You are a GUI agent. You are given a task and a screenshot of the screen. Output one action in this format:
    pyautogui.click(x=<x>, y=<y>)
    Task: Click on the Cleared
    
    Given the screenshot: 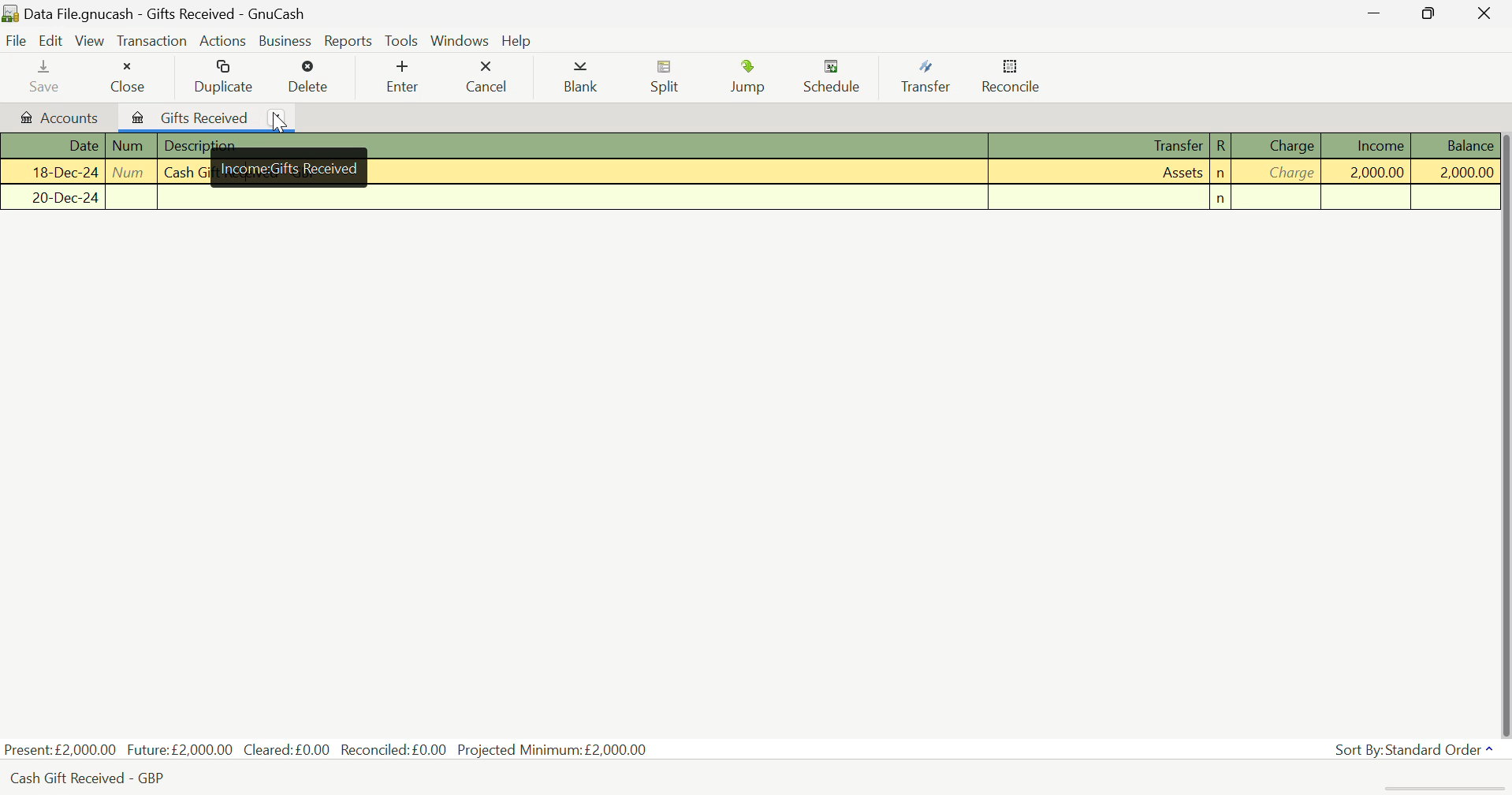 What is the action you would take?
    pyautogui.click(x=291, y=749)
    